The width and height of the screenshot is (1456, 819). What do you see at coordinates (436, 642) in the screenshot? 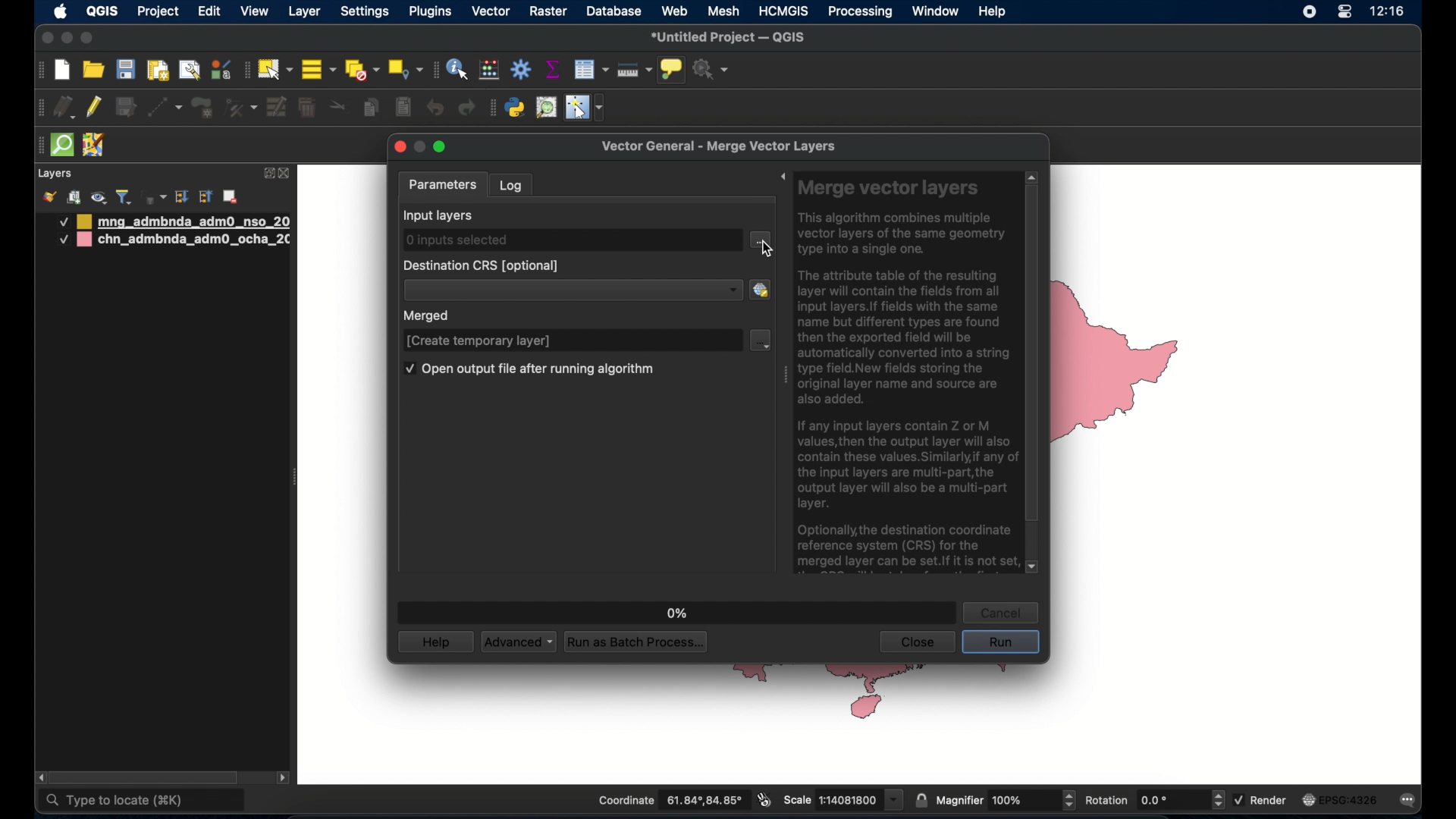
I see `help` at bounding box center [436, 642].